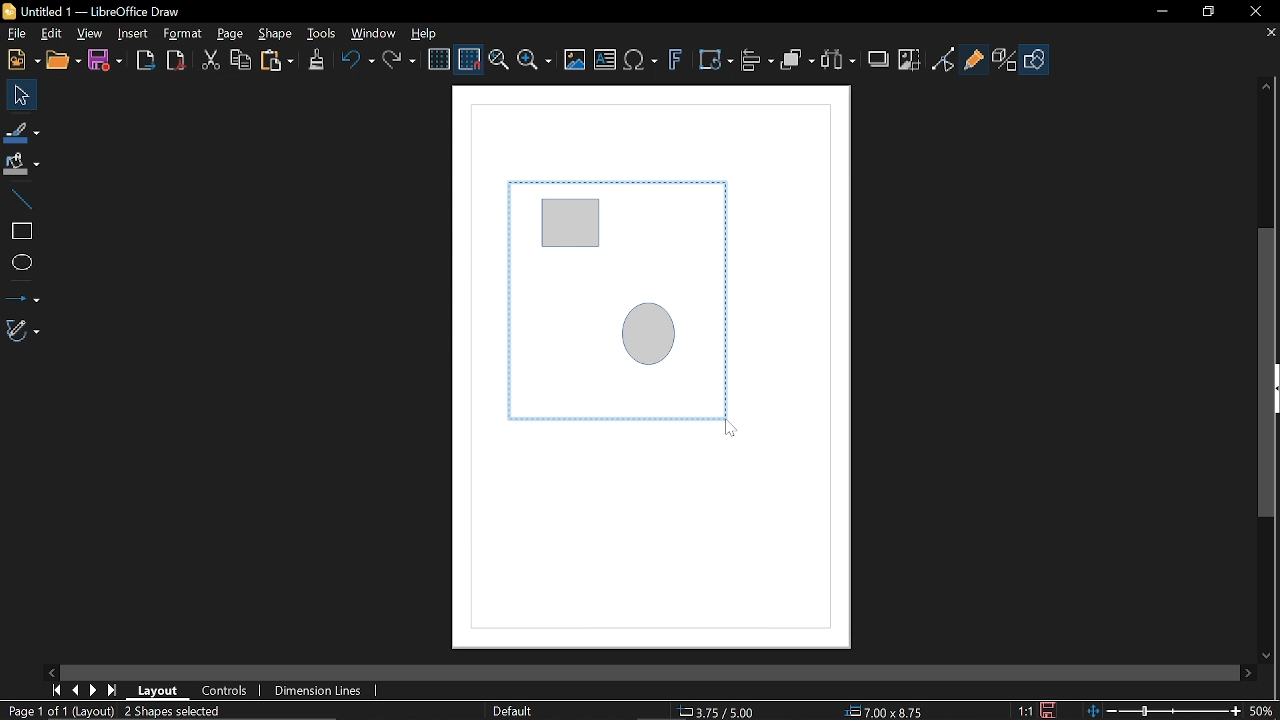 Image resolution: width=1280 pixels, height=720 pixels. Describe the element at coordinates (157, 690) in the screenshot. I see `Layout` at that location.